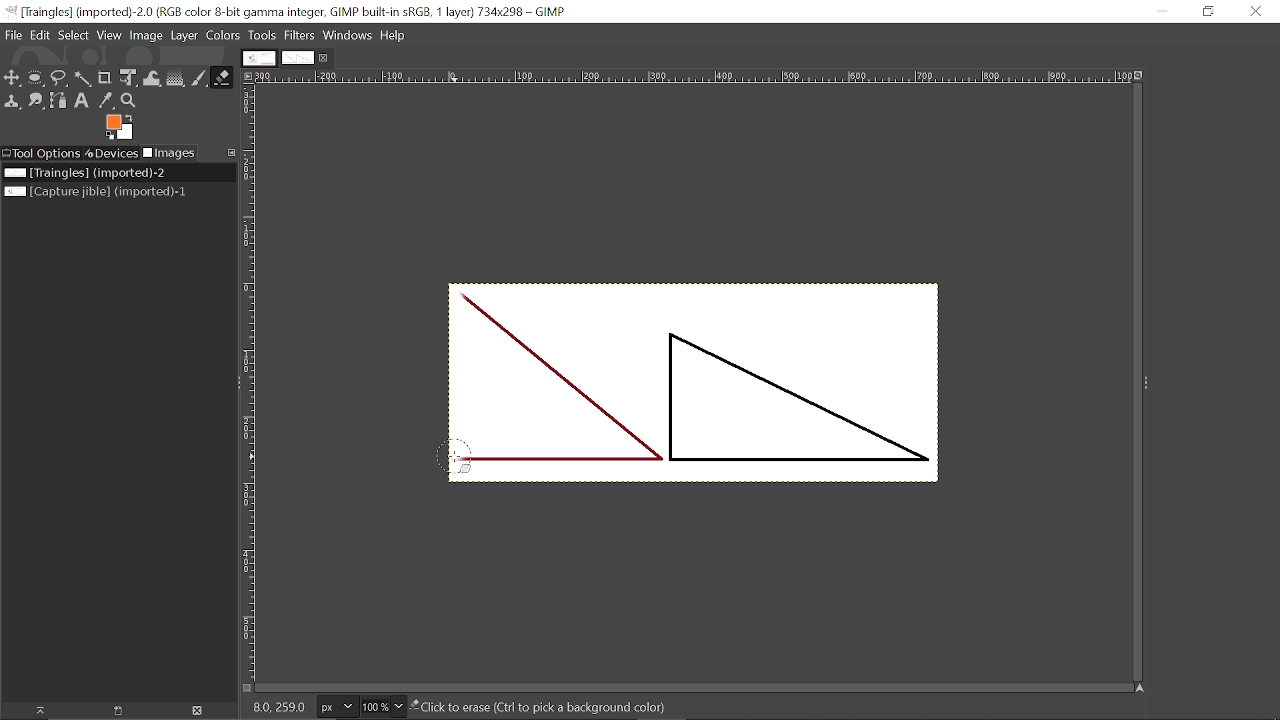  I want to click on Ellipse select tool, so click(35, 78).